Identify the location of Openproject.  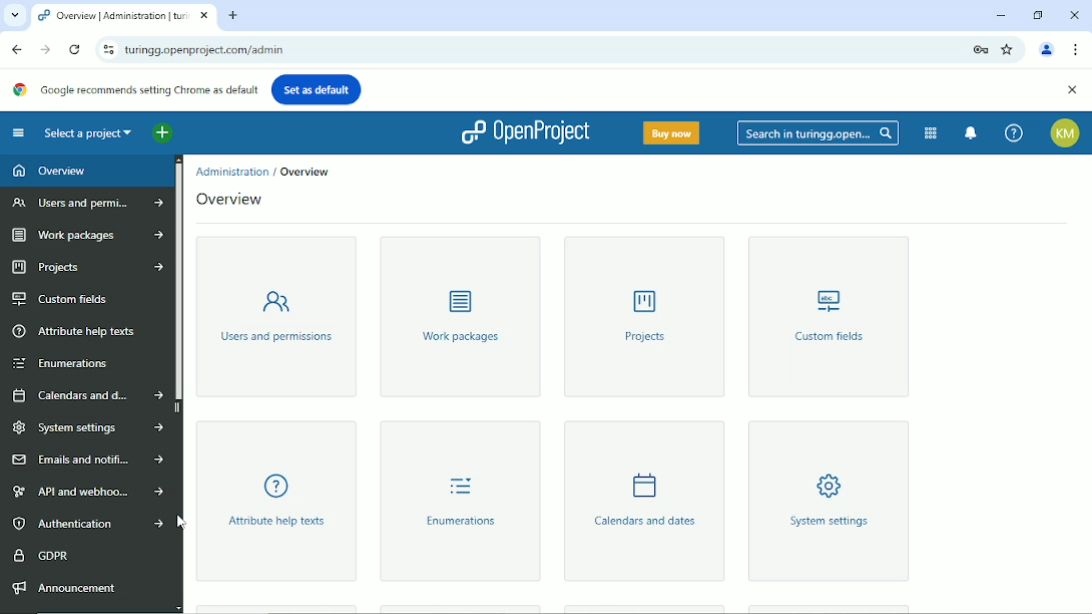
(524, 132).